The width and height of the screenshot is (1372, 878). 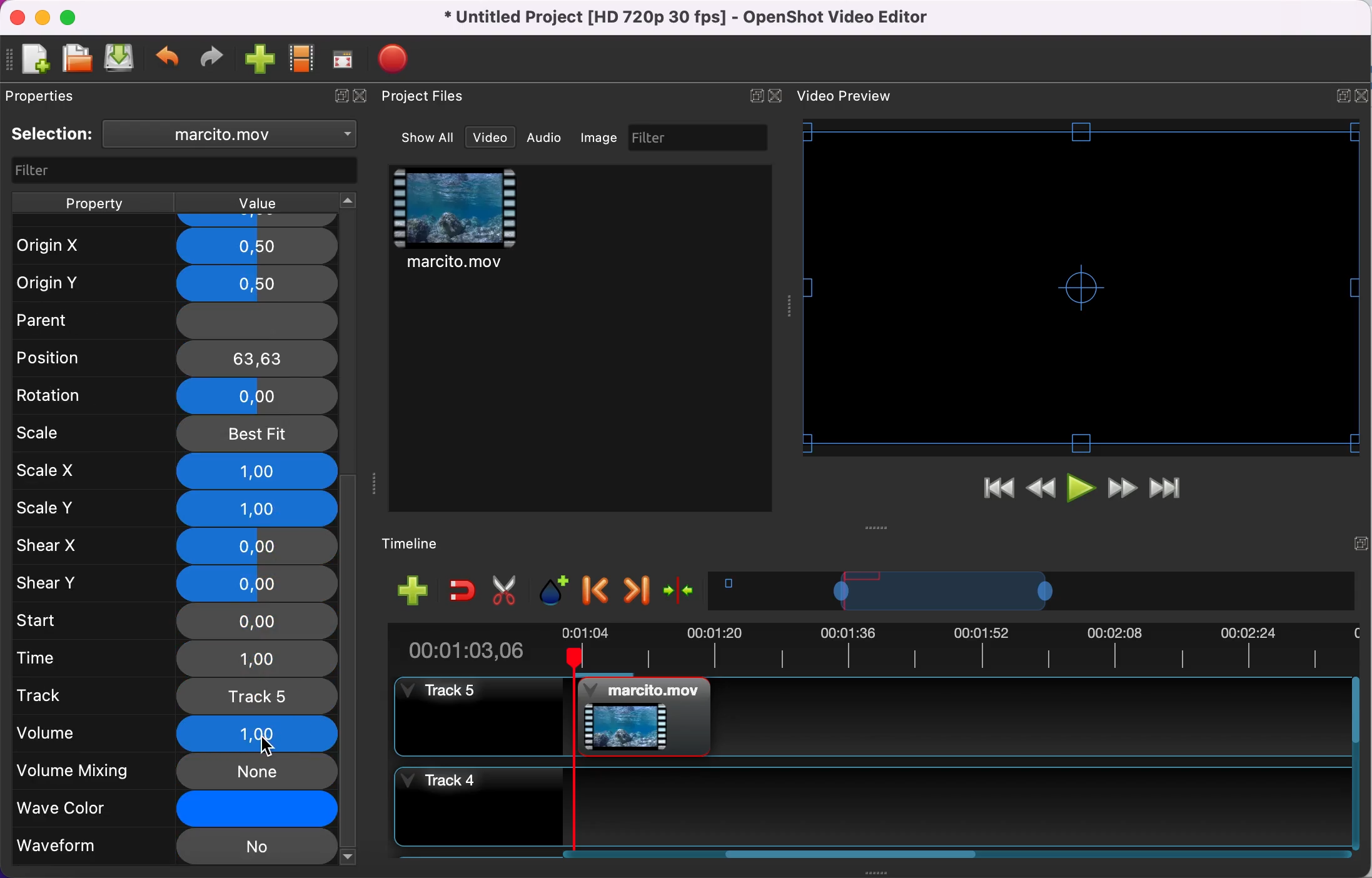 What do you see at coordinates (174, 848) in the screenshot?
I see `wave form no` at bounding box center [174, 848].